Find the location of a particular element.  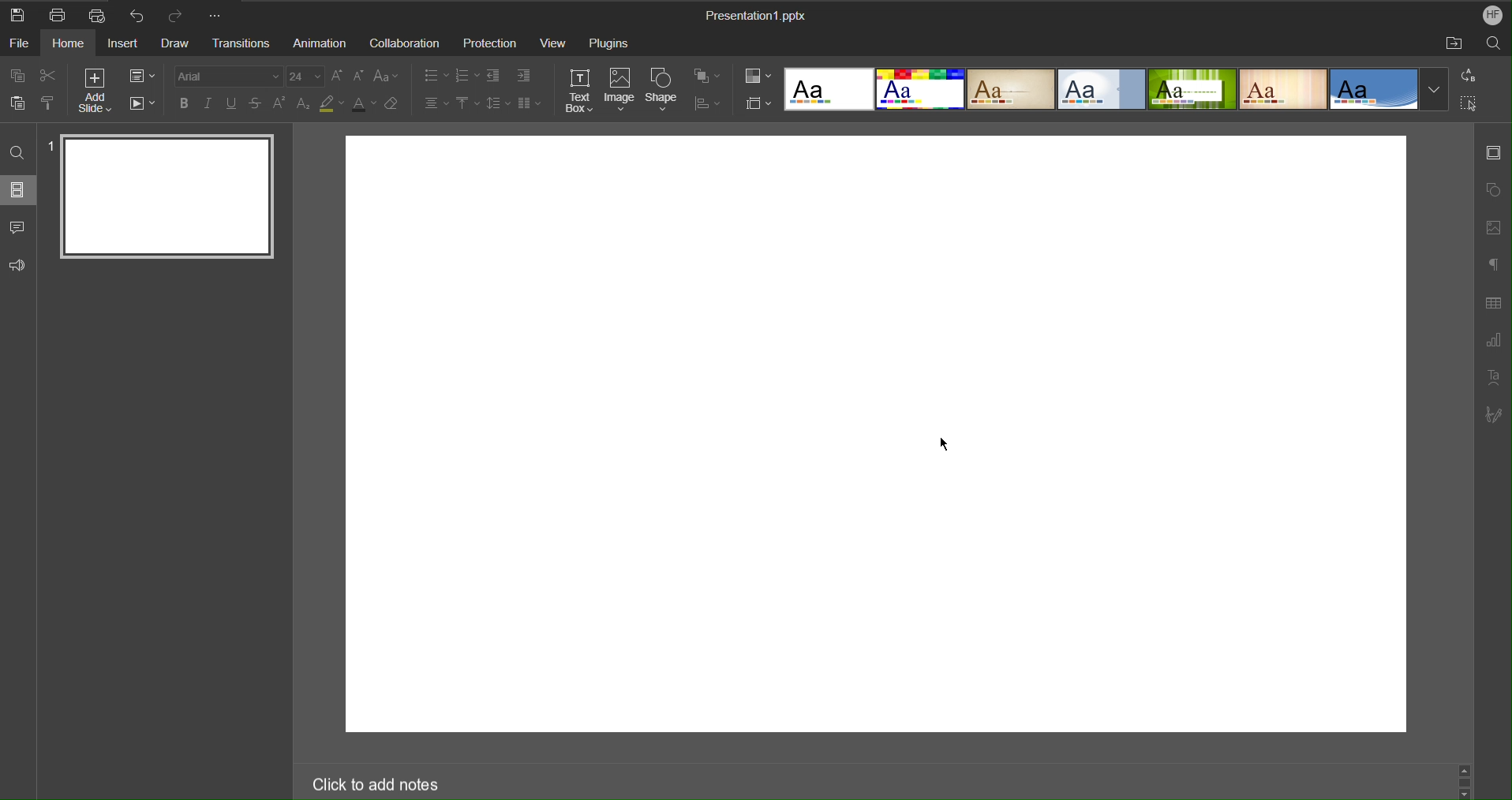

Font case is located at coordinates (387, 76).